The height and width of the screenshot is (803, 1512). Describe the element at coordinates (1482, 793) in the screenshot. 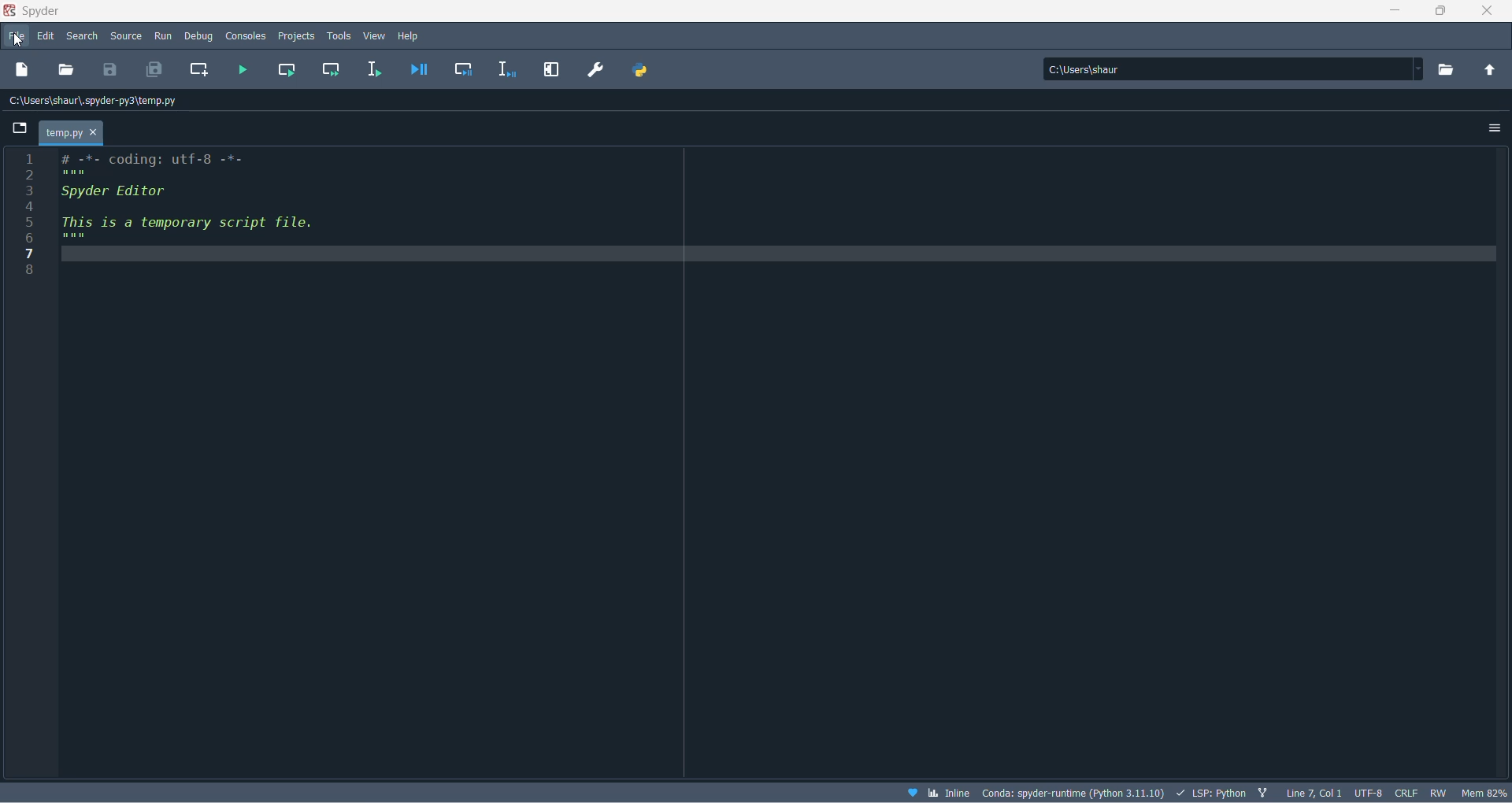

I see `memory` at that location.